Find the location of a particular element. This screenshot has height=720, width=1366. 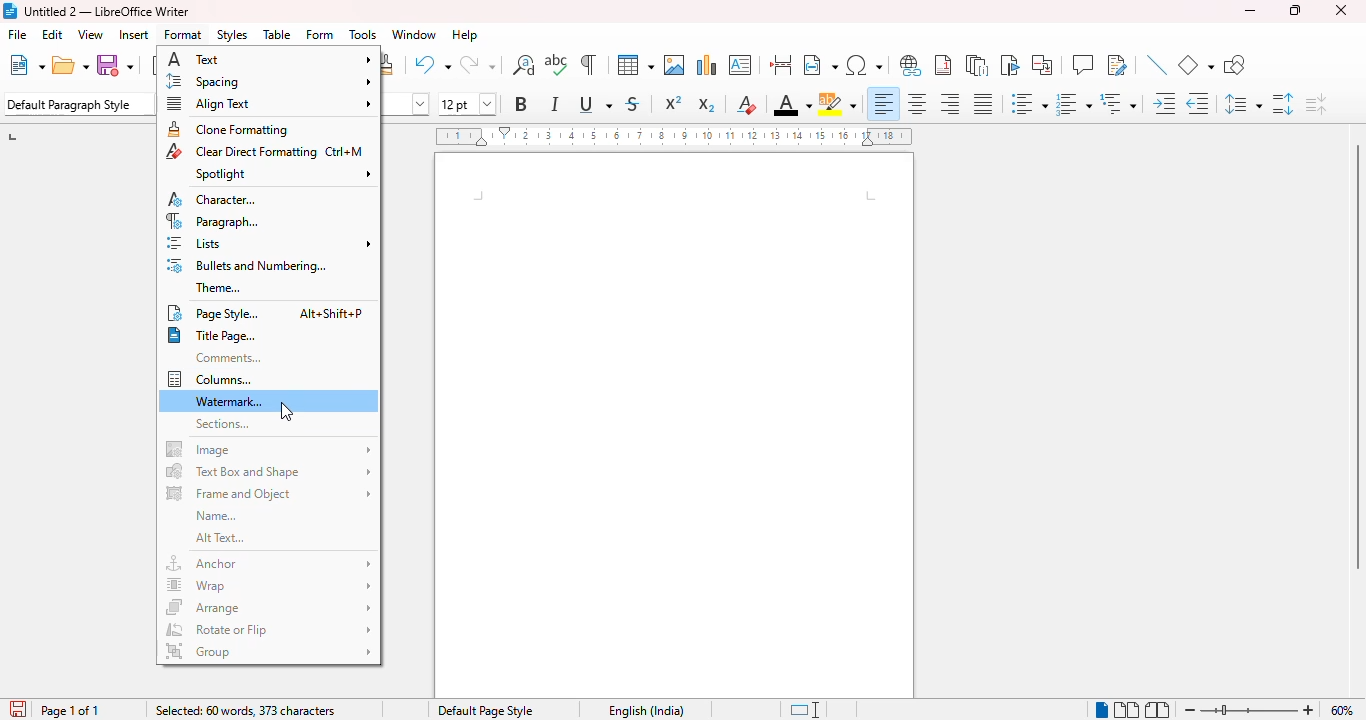

image is located at coordinates (267, 447).